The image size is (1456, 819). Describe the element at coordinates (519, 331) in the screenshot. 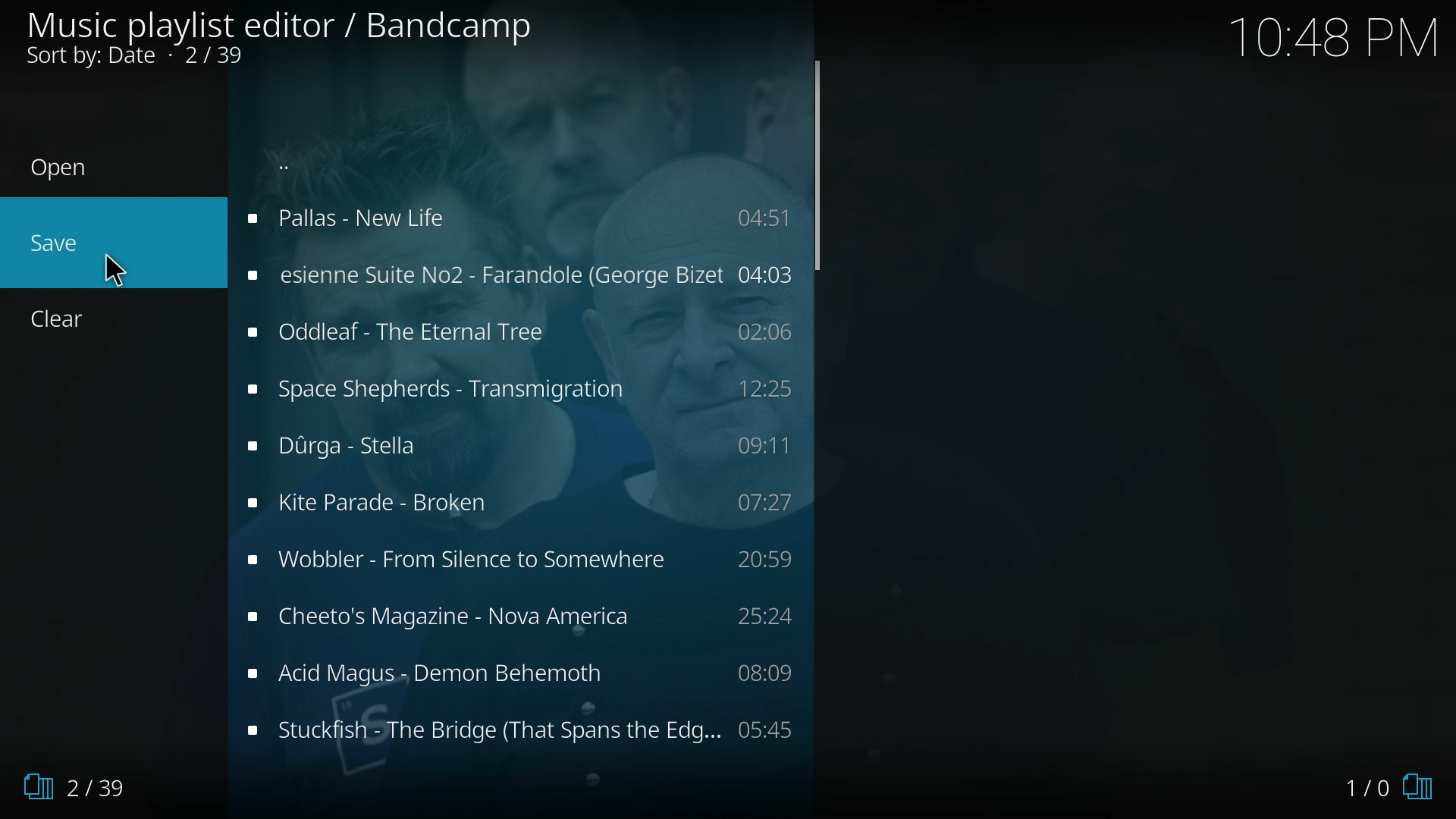

I see `song` at that location.